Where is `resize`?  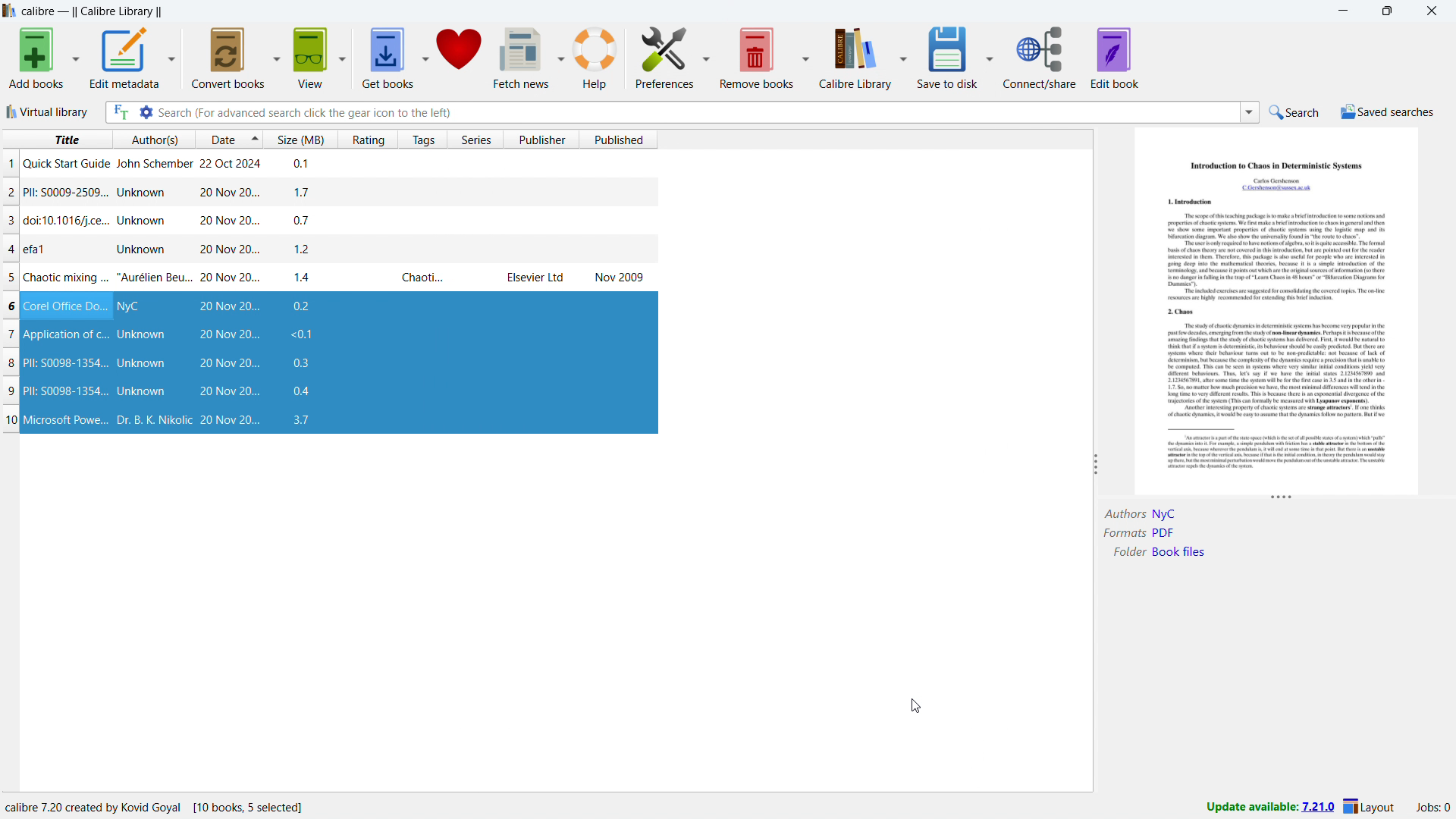 resize is located at coordinates (1282, 498).